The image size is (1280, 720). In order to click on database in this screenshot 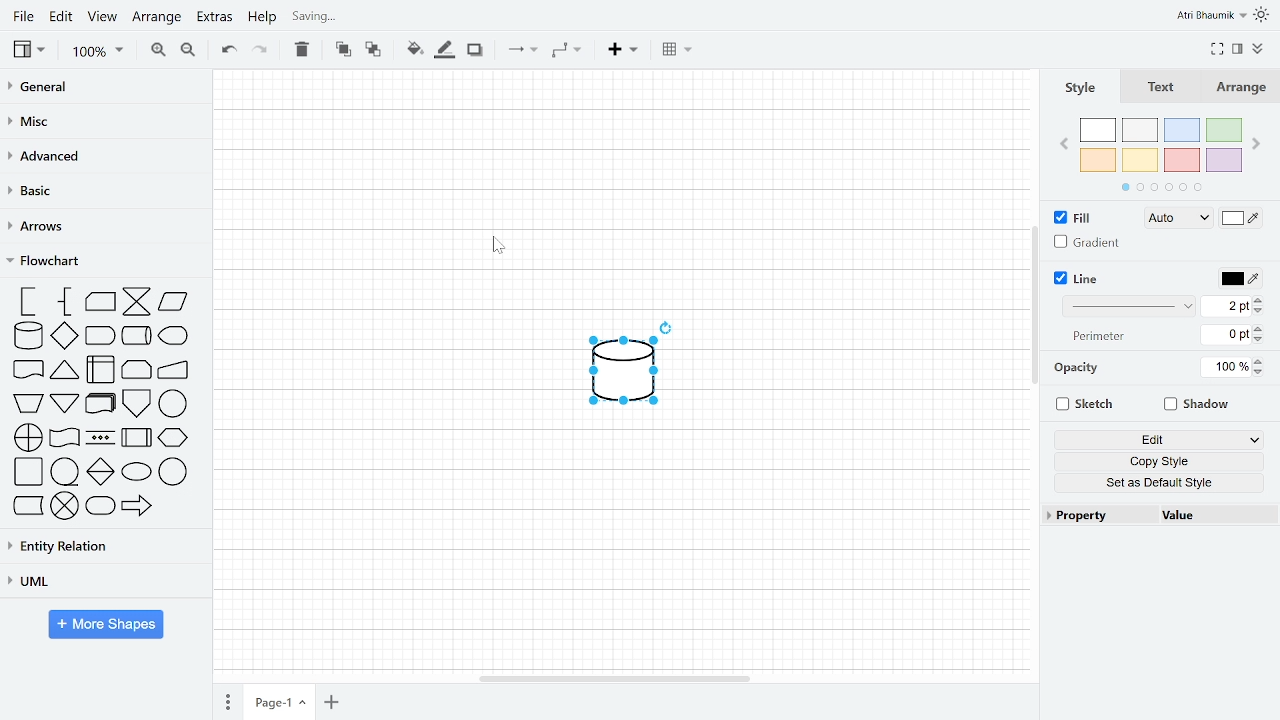, I will do `click(30, 336)`.